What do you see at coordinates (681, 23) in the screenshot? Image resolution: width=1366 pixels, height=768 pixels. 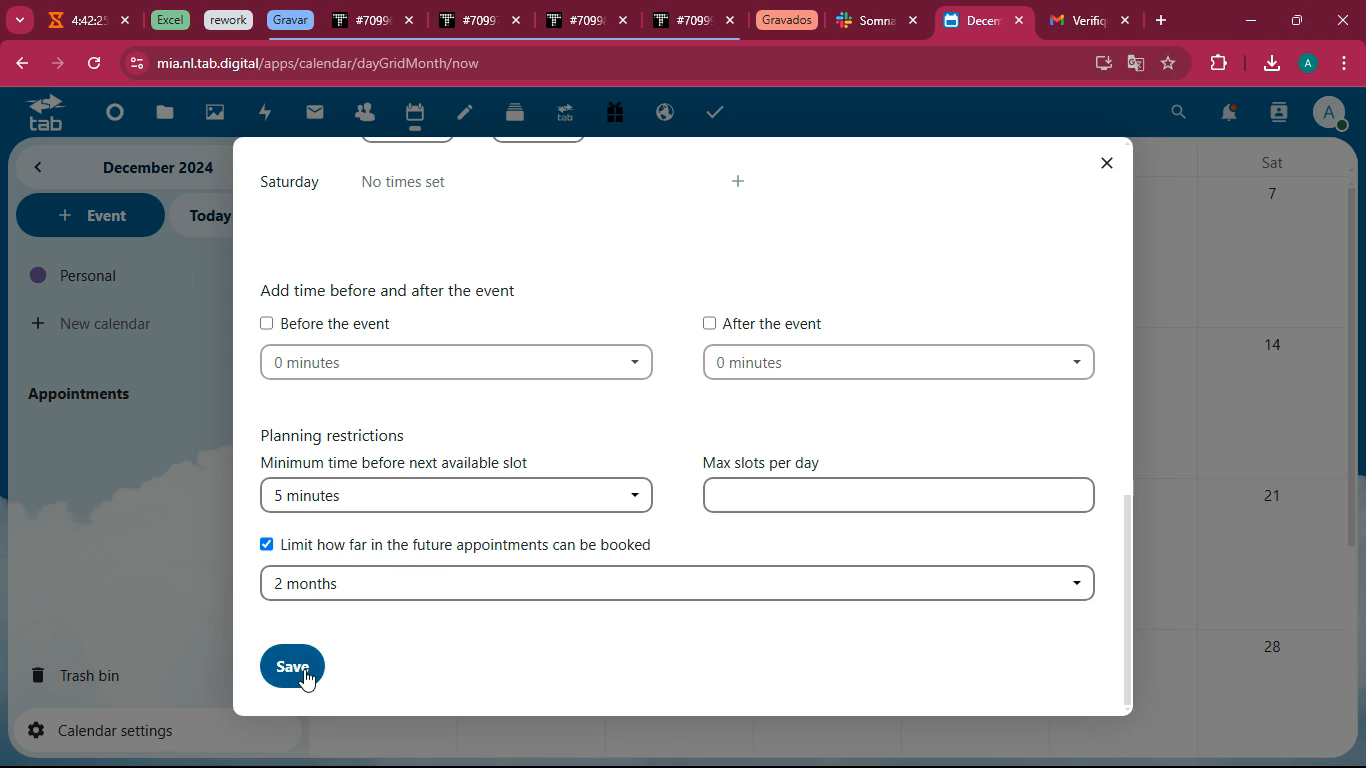 I see `tab` at bounding box center [681, 23].